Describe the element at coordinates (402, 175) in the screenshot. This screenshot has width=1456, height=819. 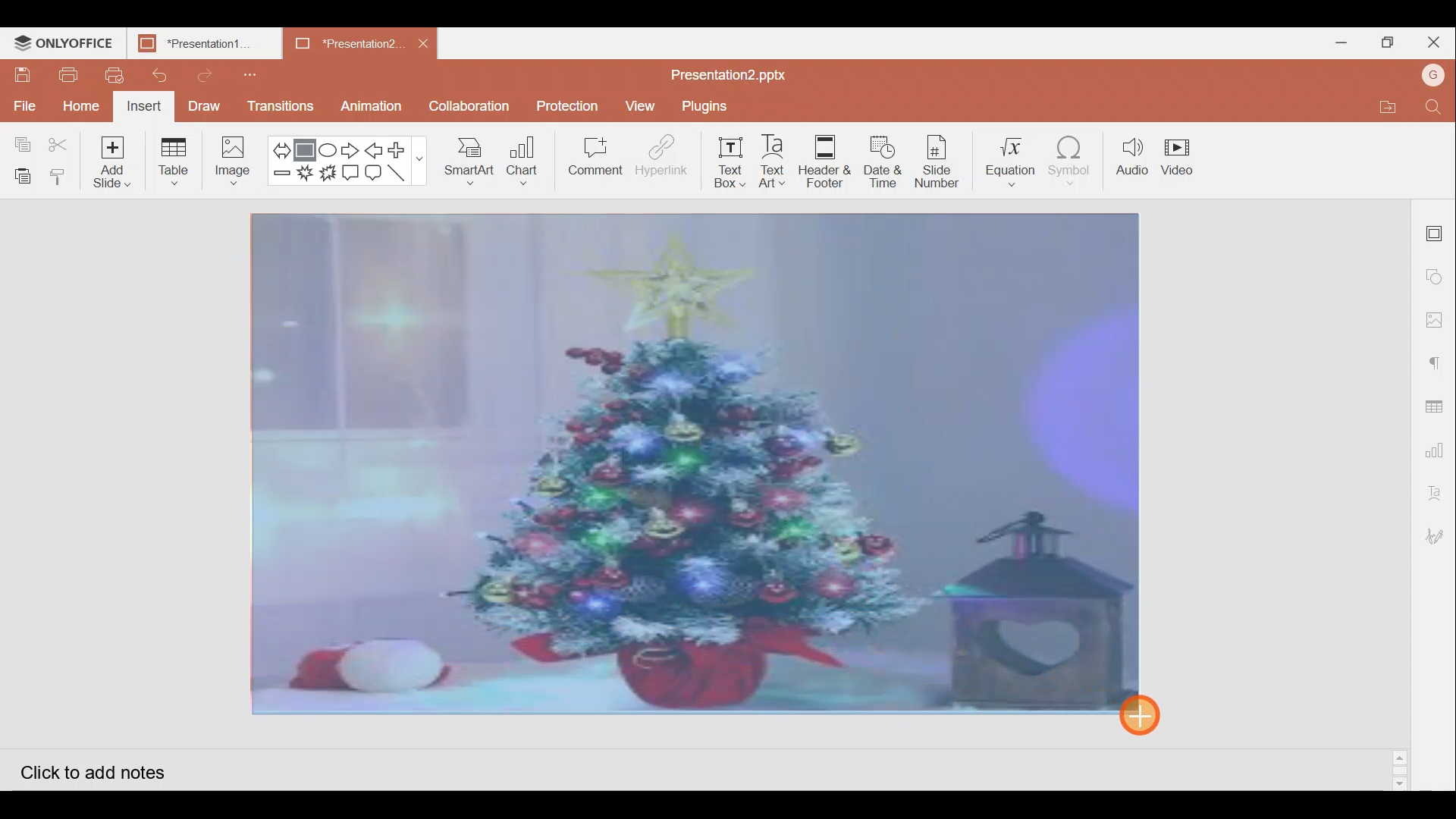
I see `Line` at that location.